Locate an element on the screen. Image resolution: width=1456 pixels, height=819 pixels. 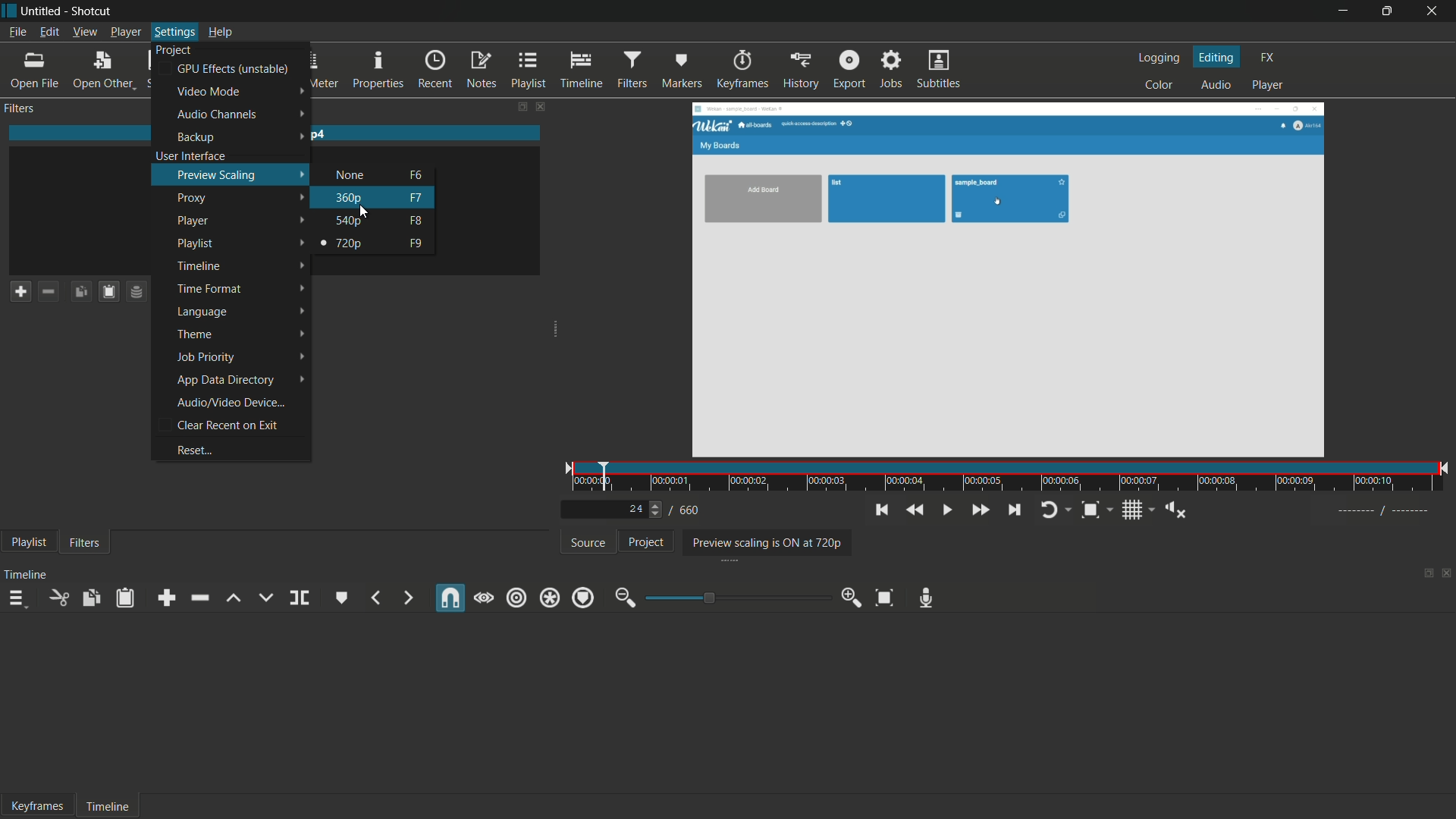
close timeline is located at coordinates (1447, 575).